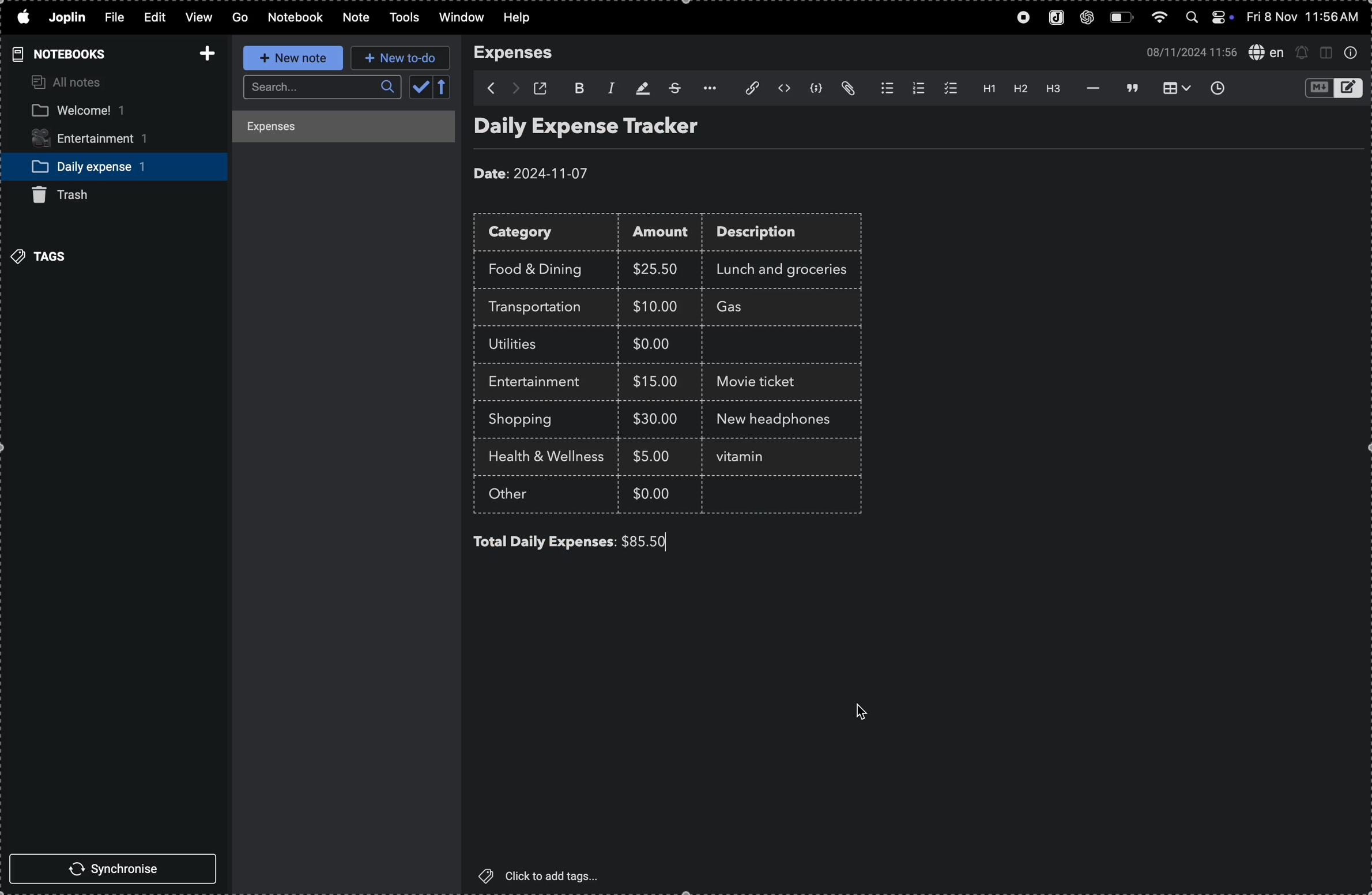 The image size is (1372, 895). Describe the element at coordinates (1302, 52) in the screenshot. I see `alerts` at that location.